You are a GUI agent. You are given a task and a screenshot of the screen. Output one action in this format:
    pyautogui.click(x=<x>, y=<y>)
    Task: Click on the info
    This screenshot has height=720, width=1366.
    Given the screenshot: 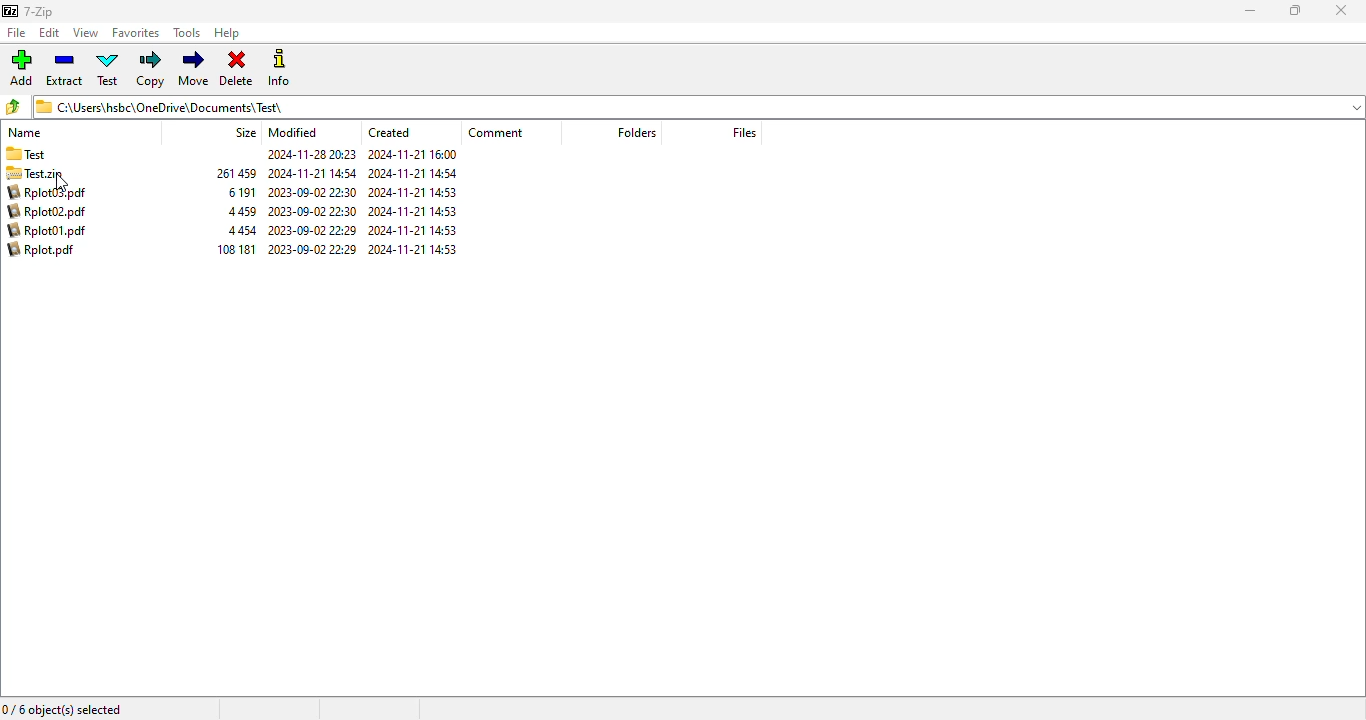 What is the action you would take?
    pyautogui.click(x=279, y=69)
    